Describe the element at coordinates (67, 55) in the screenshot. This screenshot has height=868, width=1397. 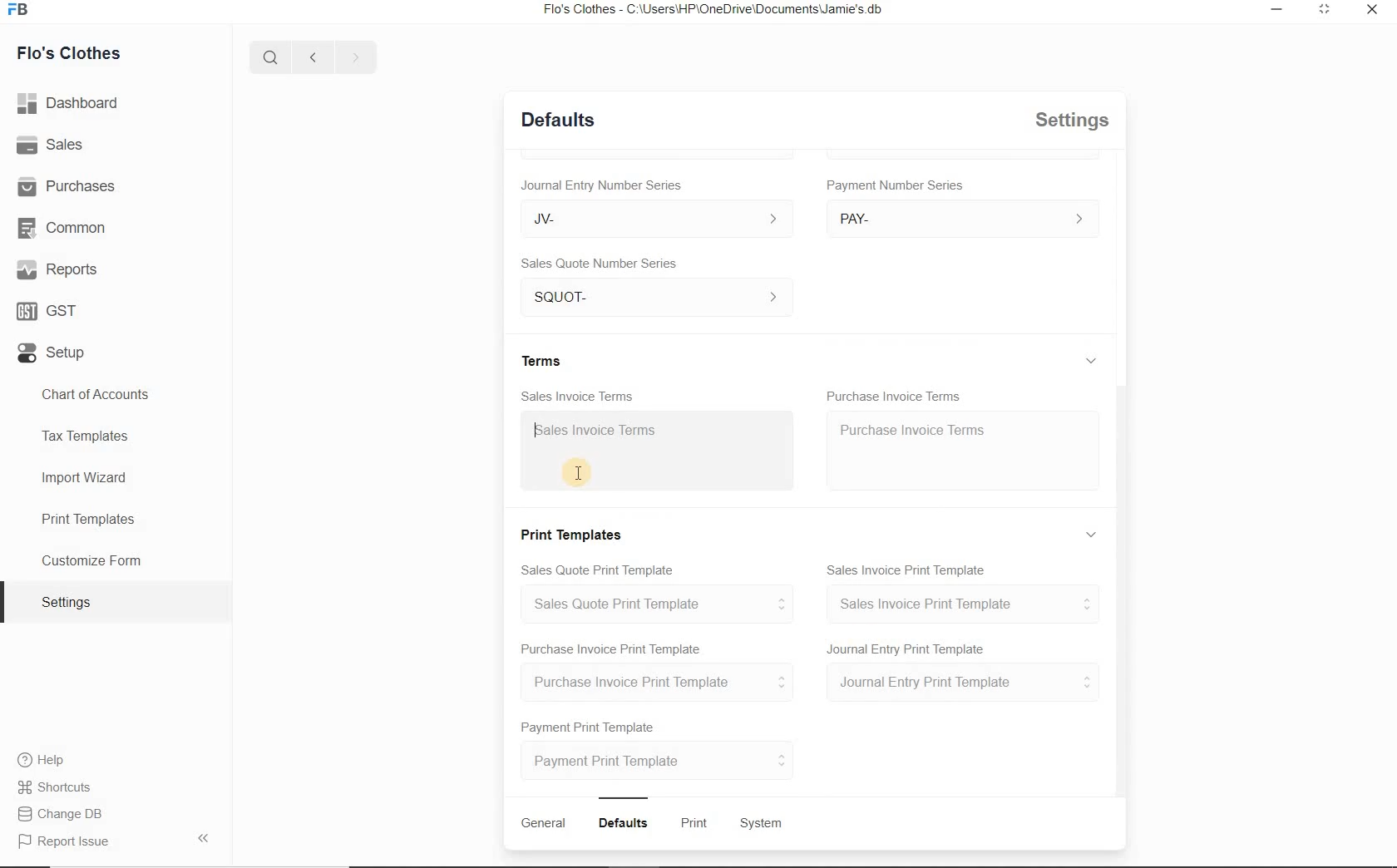
I see `Flo's Clothes` at that location.